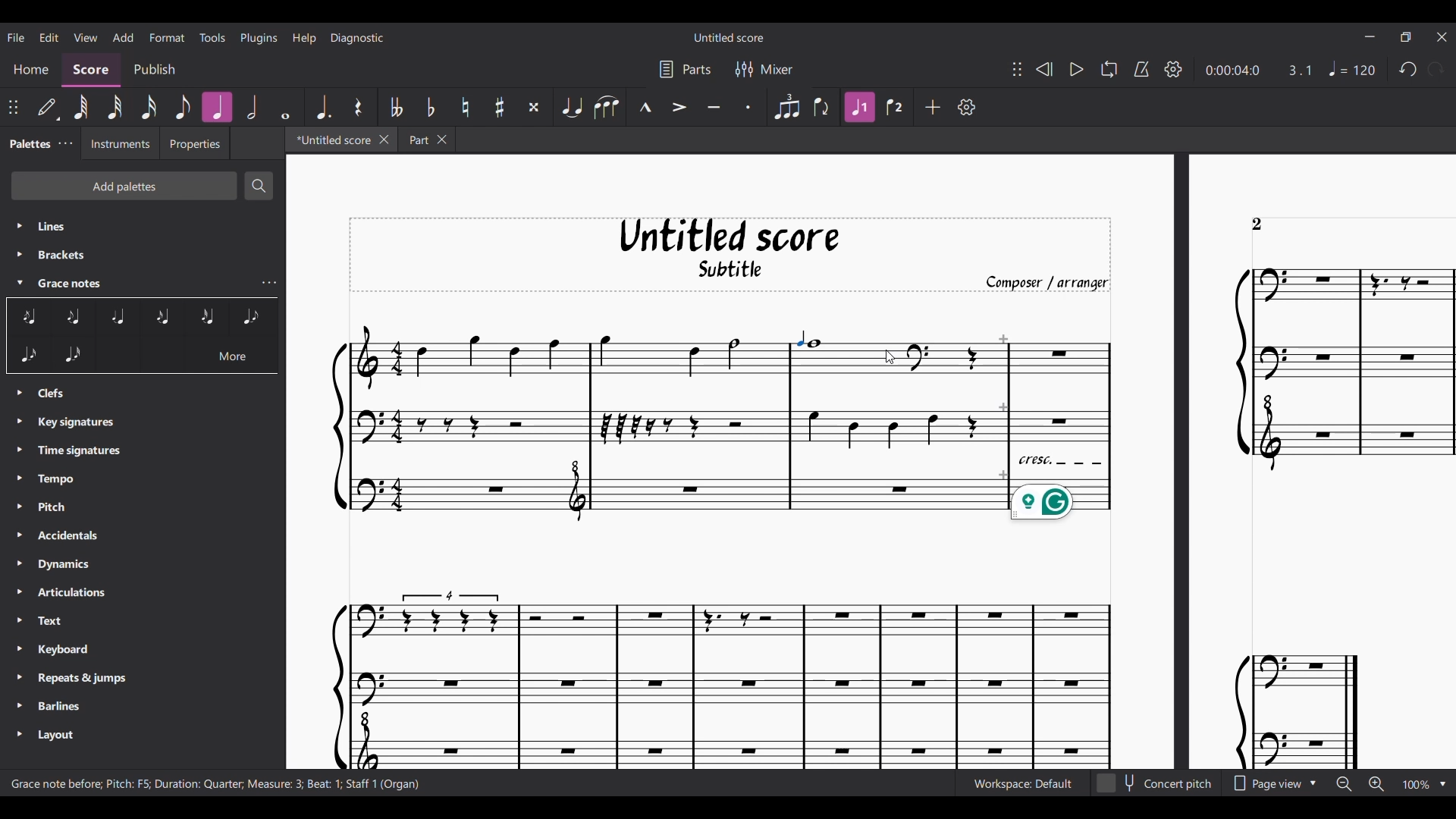 This screenshot has height=819, width=1456. What do you see at coordinates (786, 107) in the screenshot?
I see `Tuplet` at bounding box center [786, 107].